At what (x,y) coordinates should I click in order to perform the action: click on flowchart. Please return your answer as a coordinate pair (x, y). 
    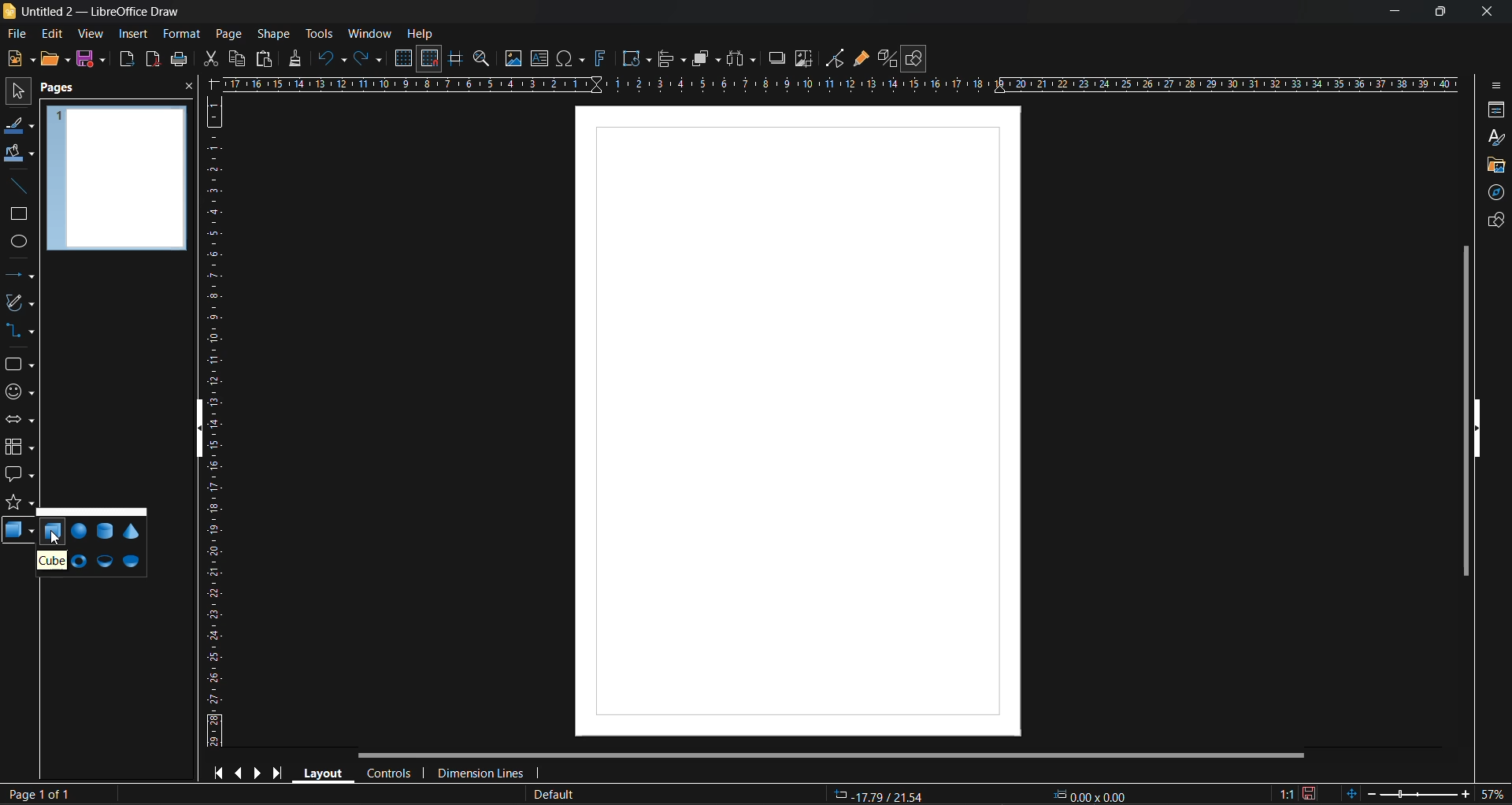
    Looking at the image, I should click on (20, 447).